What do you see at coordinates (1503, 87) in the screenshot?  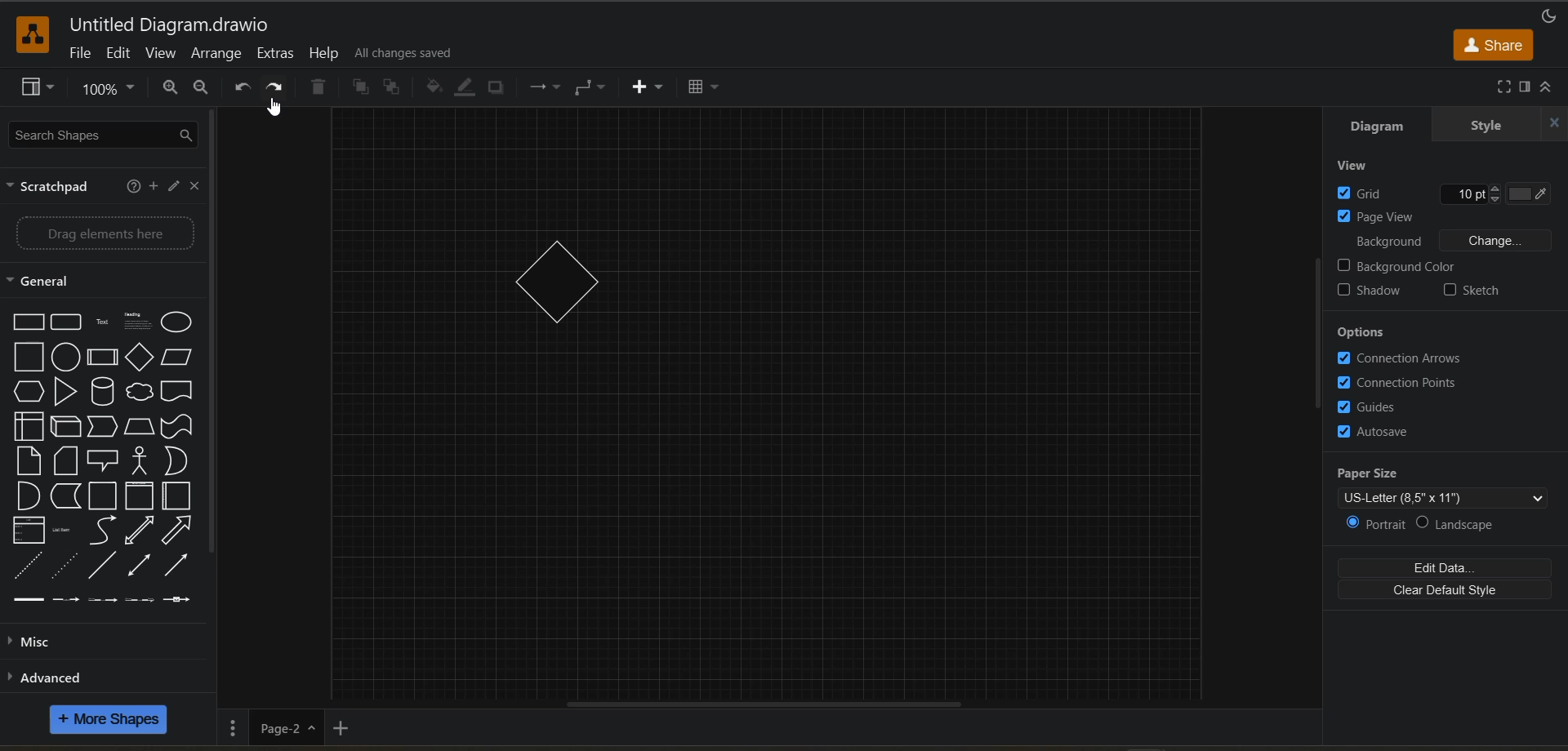 I see `fullscreen` at bounding box center [1503, 87].